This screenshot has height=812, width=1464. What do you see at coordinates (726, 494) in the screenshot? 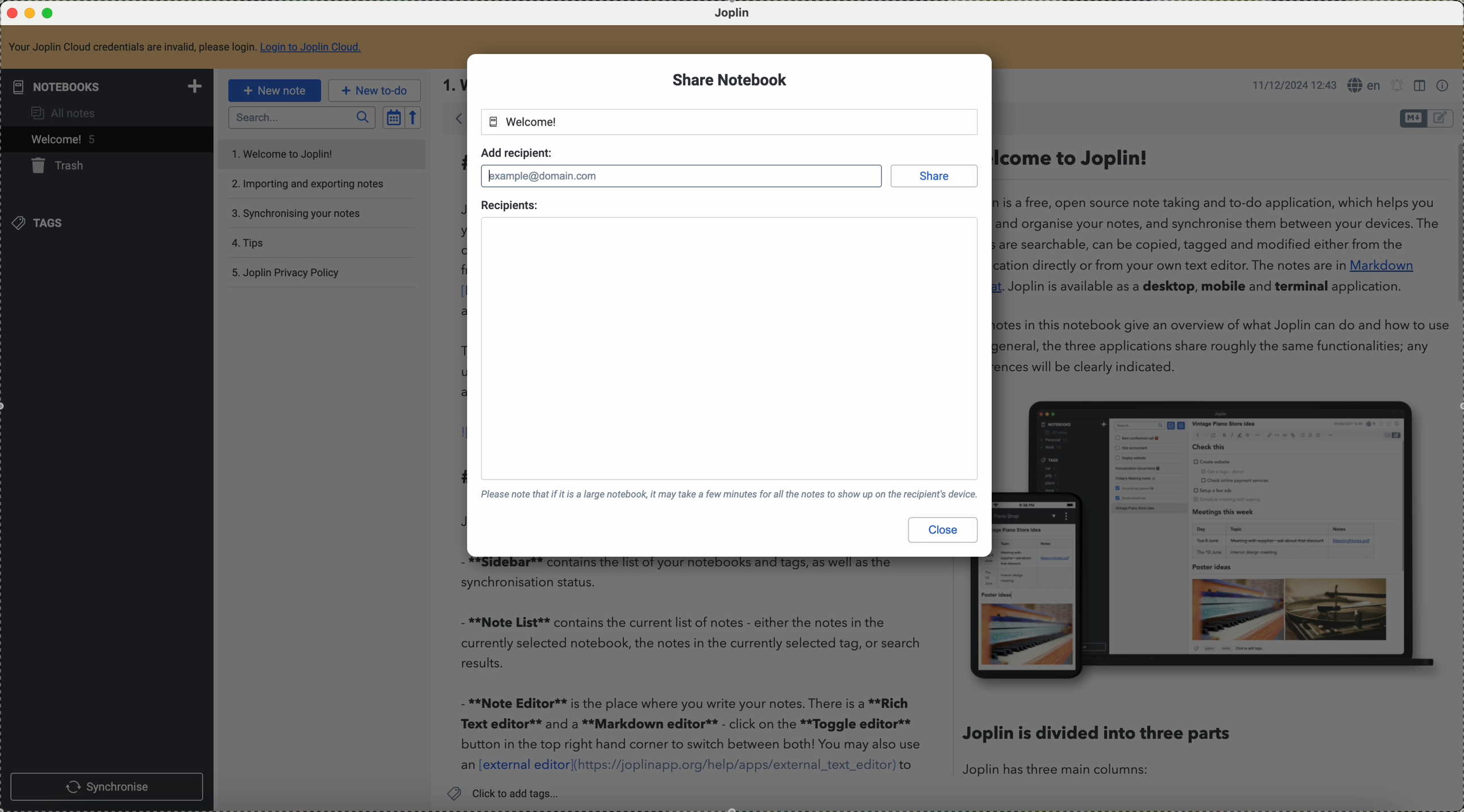
I see `please note that if it is a large notebook, it may take a few minutes for all the notes to show up on the recipient's device` at bounding box center [726, 494].